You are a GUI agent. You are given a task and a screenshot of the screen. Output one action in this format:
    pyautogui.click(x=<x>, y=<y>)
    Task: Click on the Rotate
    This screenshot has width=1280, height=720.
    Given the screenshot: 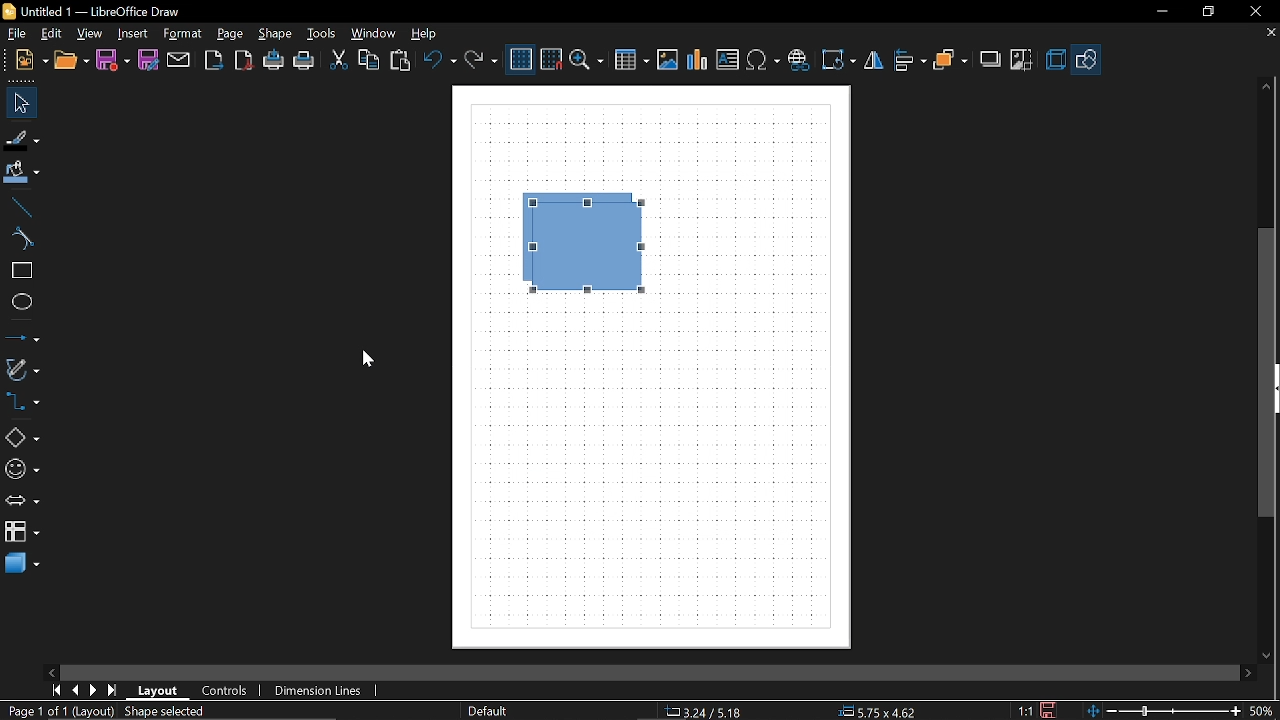 What is the action you would take?
    pyautogui.click(x=838, y=60)
    